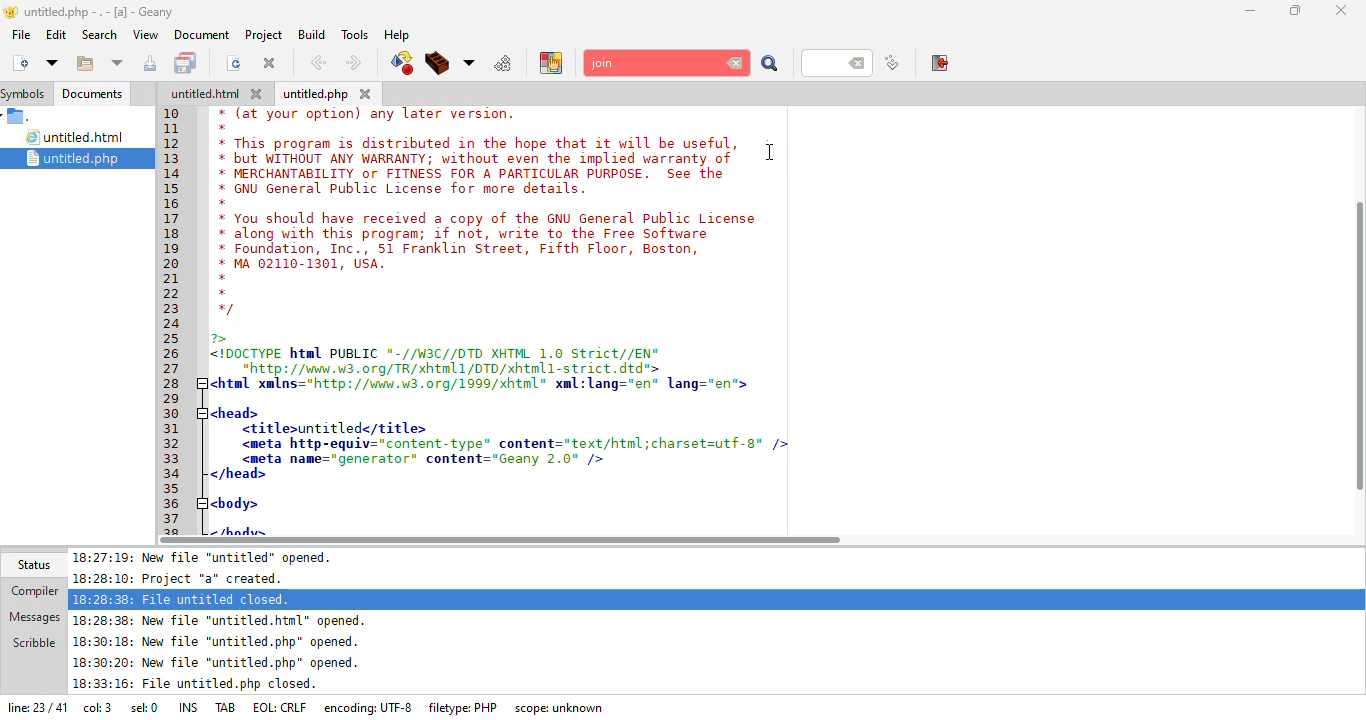  What do you see at coordinates (174, 397) in the screenshot?
I see `29` at bounding box center [174, 397].